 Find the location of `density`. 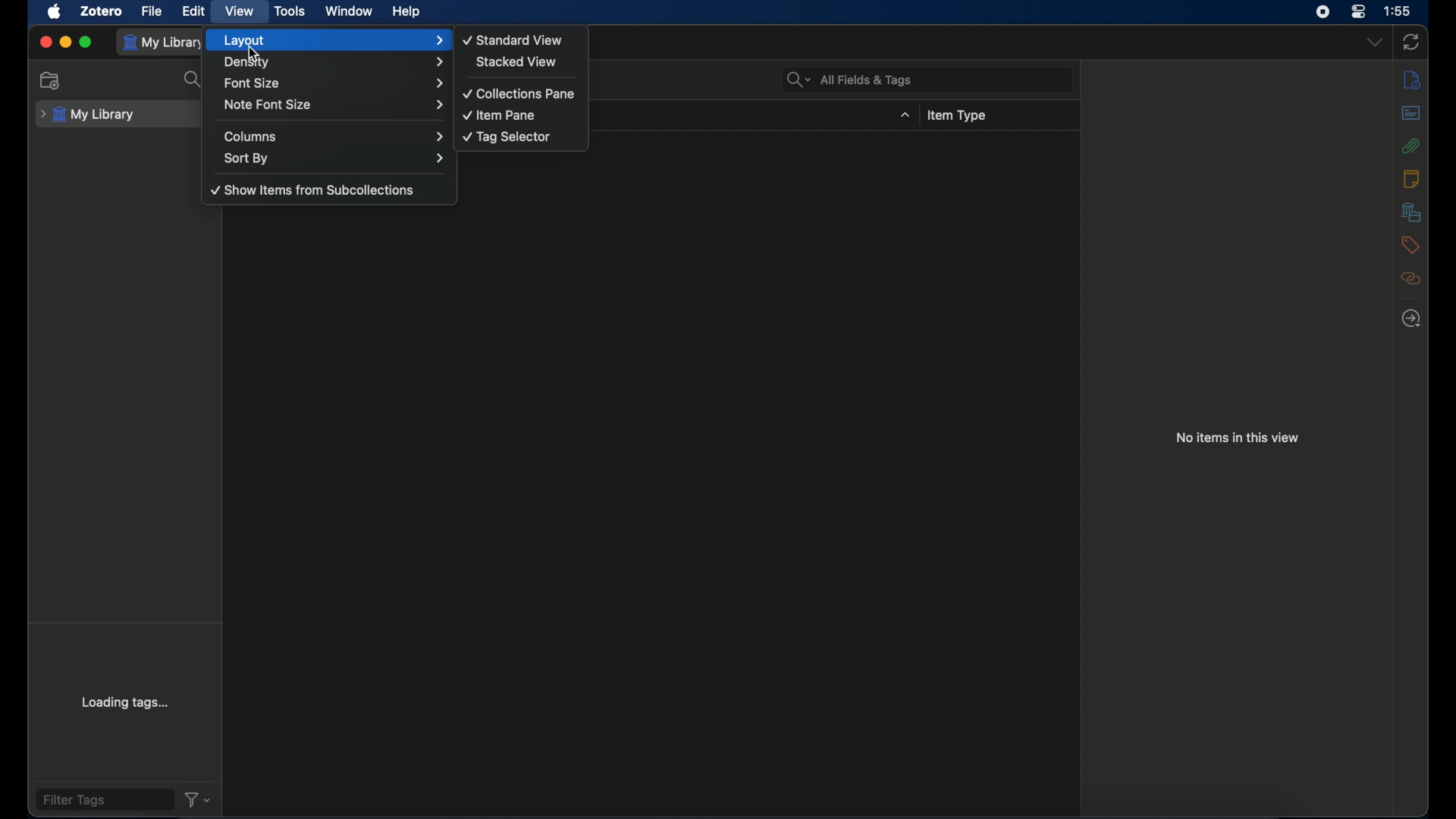

density is located at coordinates (334, 64).